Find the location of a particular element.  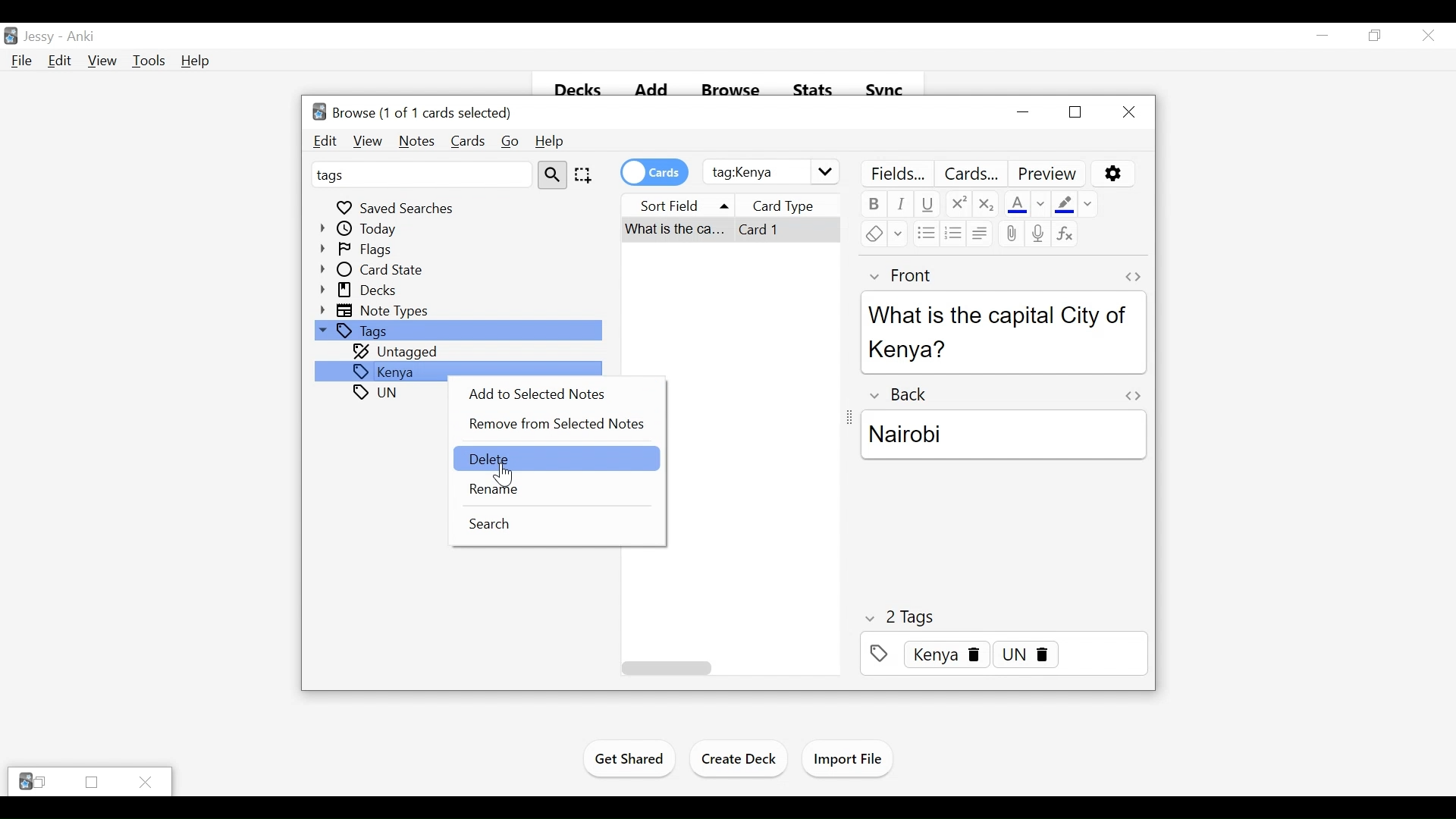

Nairobi is located at coordinates (1003, 434).